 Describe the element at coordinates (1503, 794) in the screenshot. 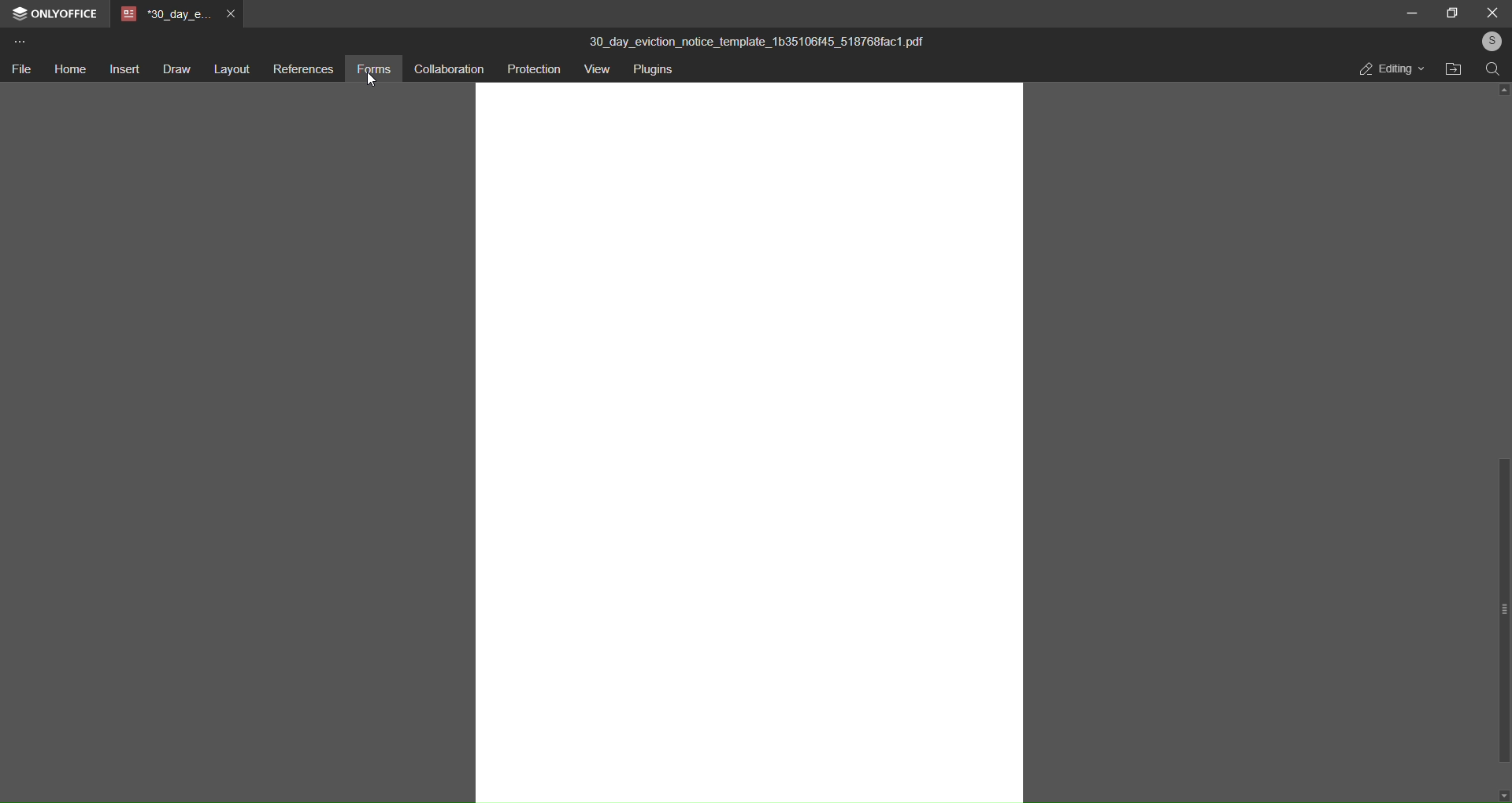

I see `down` at that location.